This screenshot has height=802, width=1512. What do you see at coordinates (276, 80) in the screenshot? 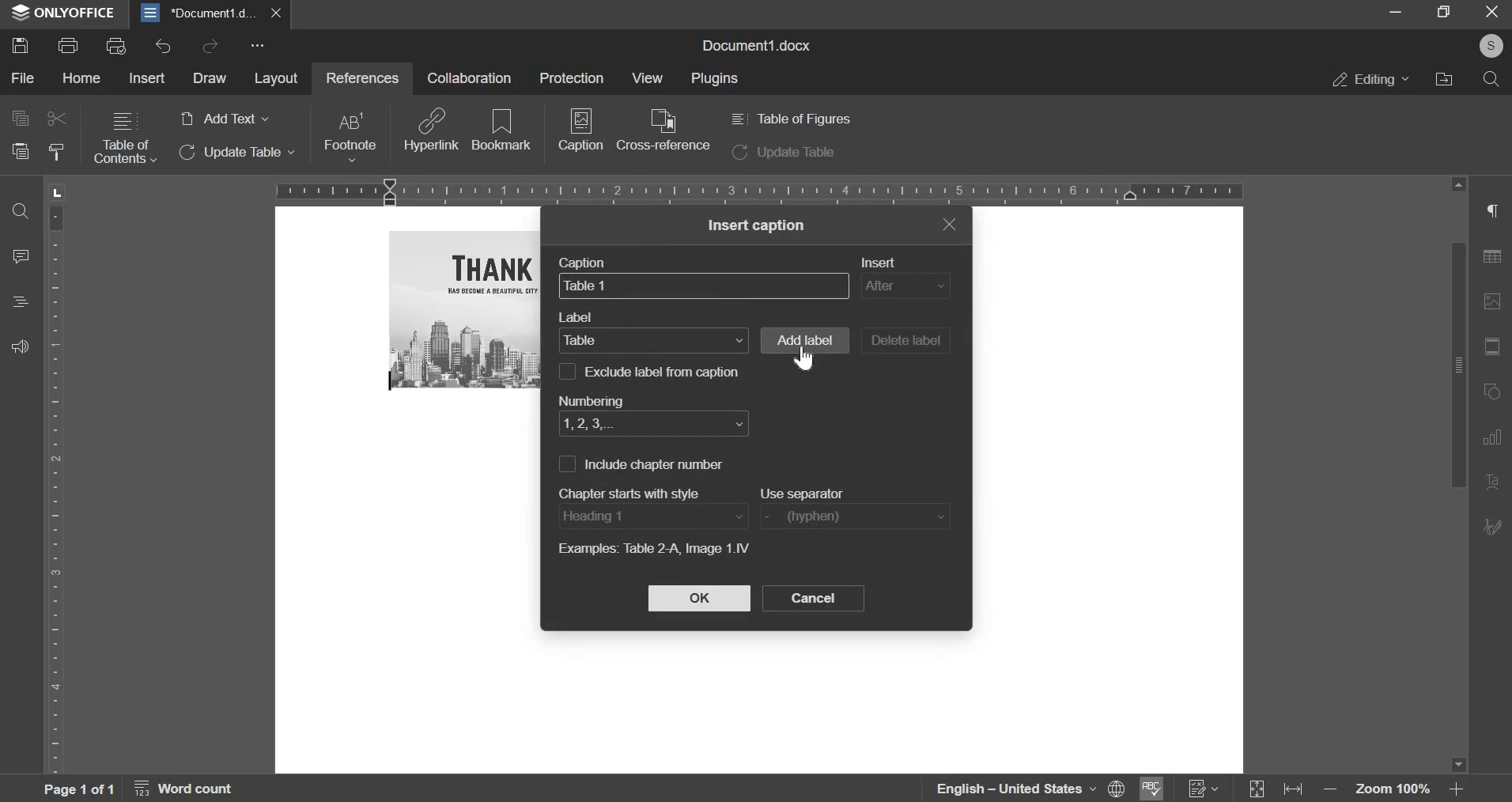
I see `layout` at bounding box center [276, 80].